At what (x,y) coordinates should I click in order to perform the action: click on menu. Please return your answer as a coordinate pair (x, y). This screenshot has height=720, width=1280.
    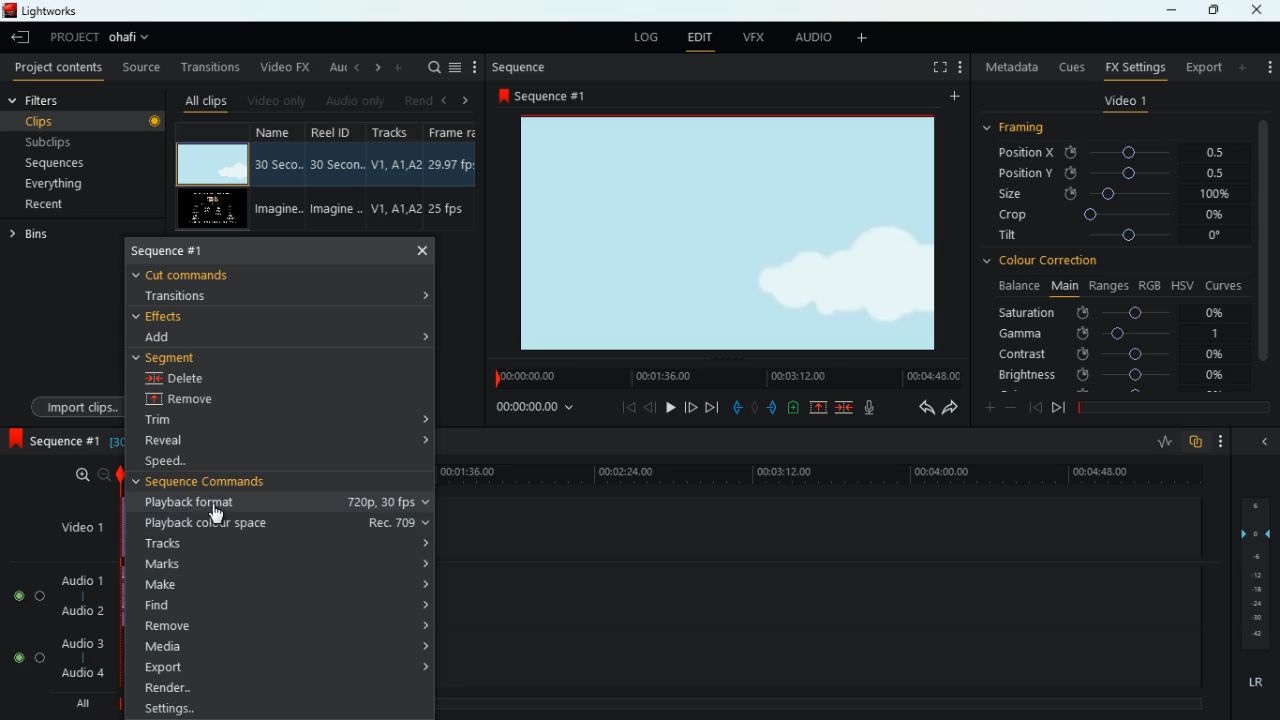
    Looking at the image, I should click on (455, 67).